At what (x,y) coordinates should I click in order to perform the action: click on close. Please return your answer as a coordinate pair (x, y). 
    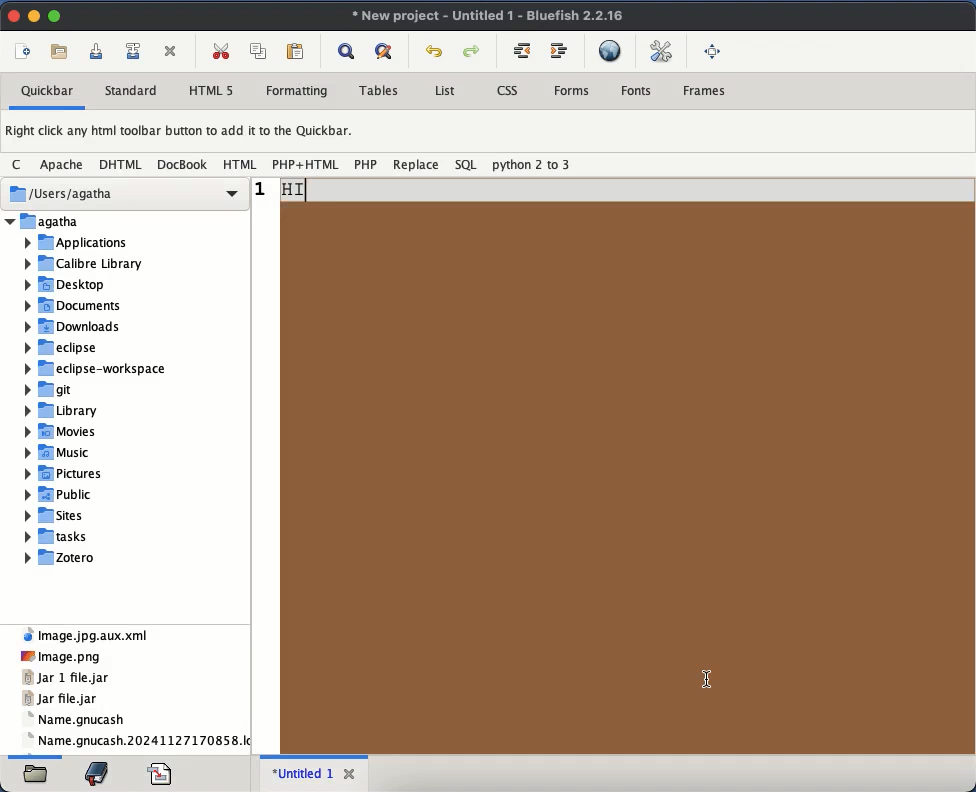
    Looking at the image, I should click on (349, 774).